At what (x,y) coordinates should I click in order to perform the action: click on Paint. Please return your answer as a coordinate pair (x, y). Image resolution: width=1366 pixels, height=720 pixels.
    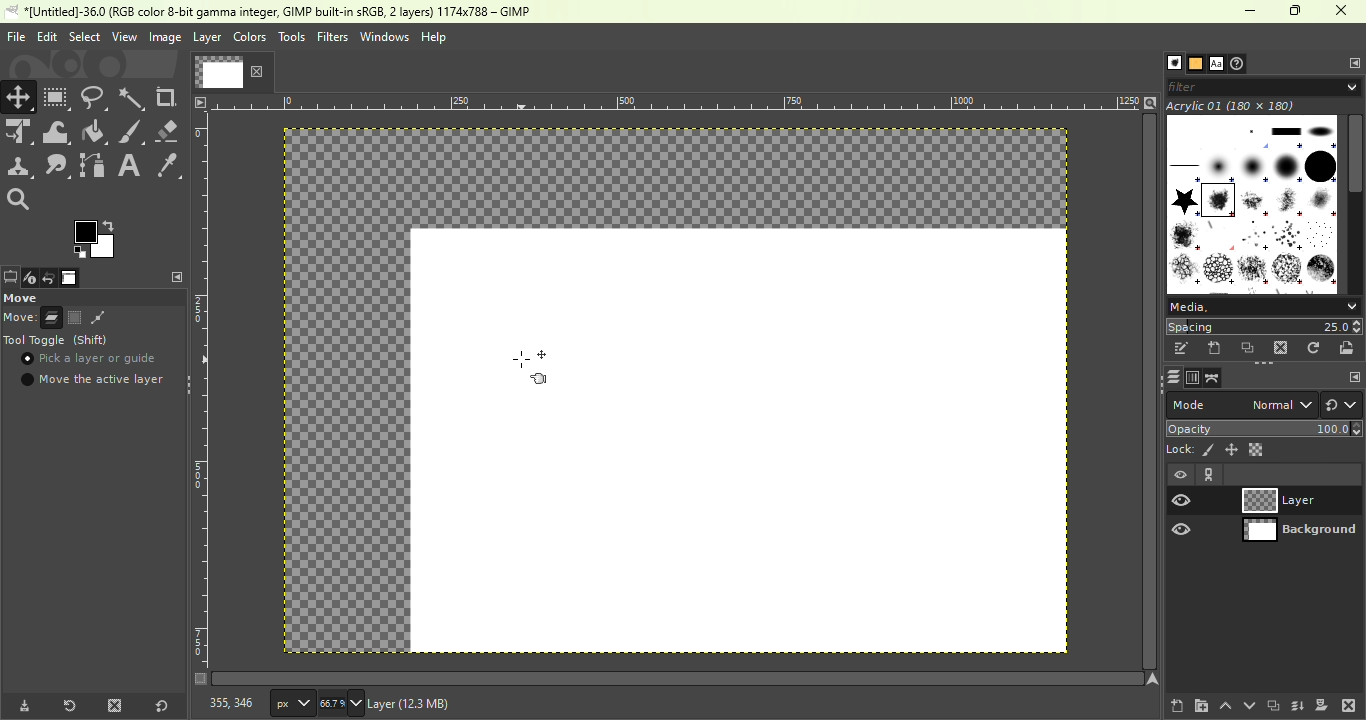
    Looking at the image, I should click on (95, 133).